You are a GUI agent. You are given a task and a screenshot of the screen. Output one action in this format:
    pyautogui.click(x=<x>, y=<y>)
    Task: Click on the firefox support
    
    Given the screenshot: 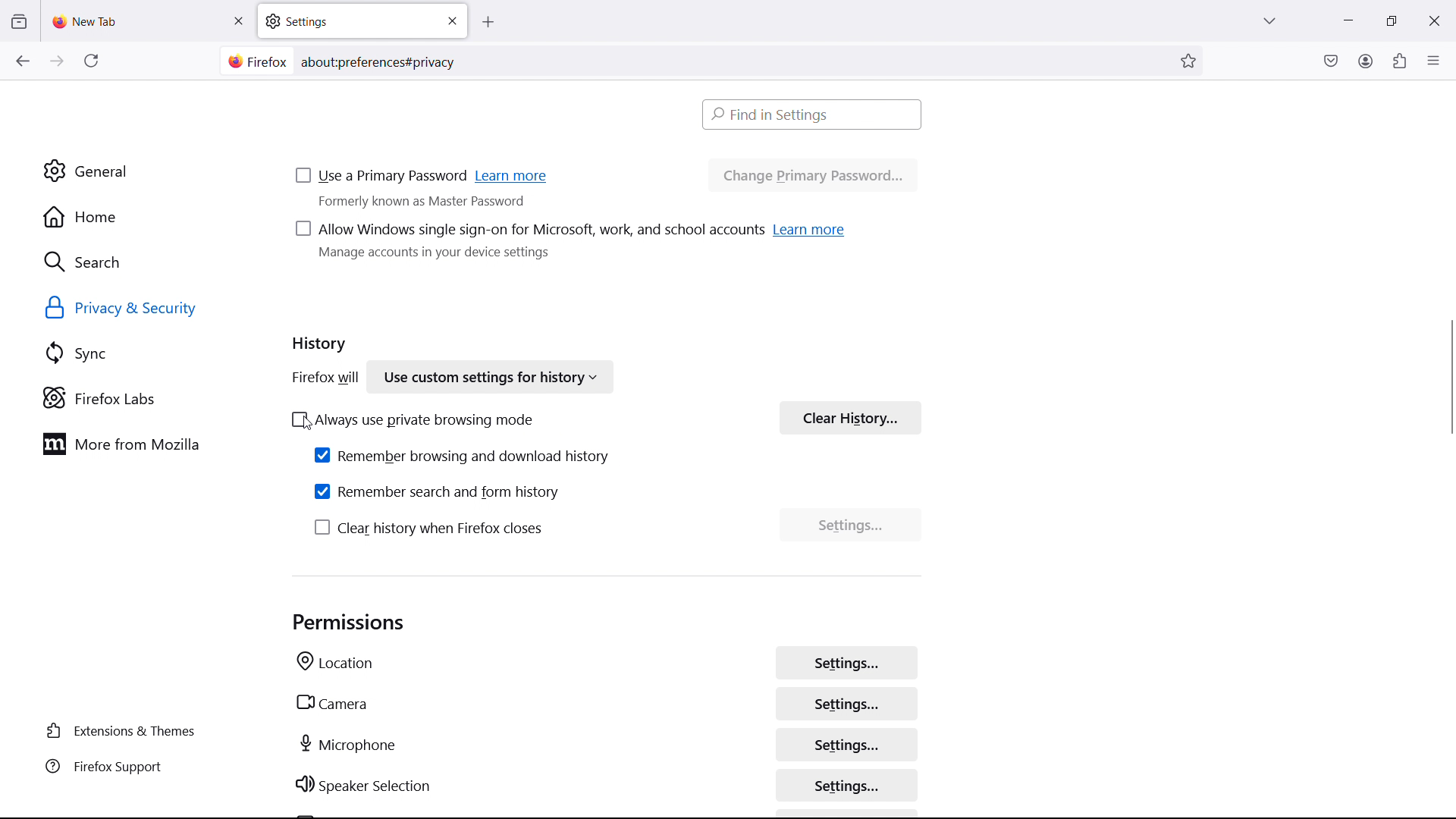 What is the action you would take?
    pyautogui.click(x=124, y=767)
    